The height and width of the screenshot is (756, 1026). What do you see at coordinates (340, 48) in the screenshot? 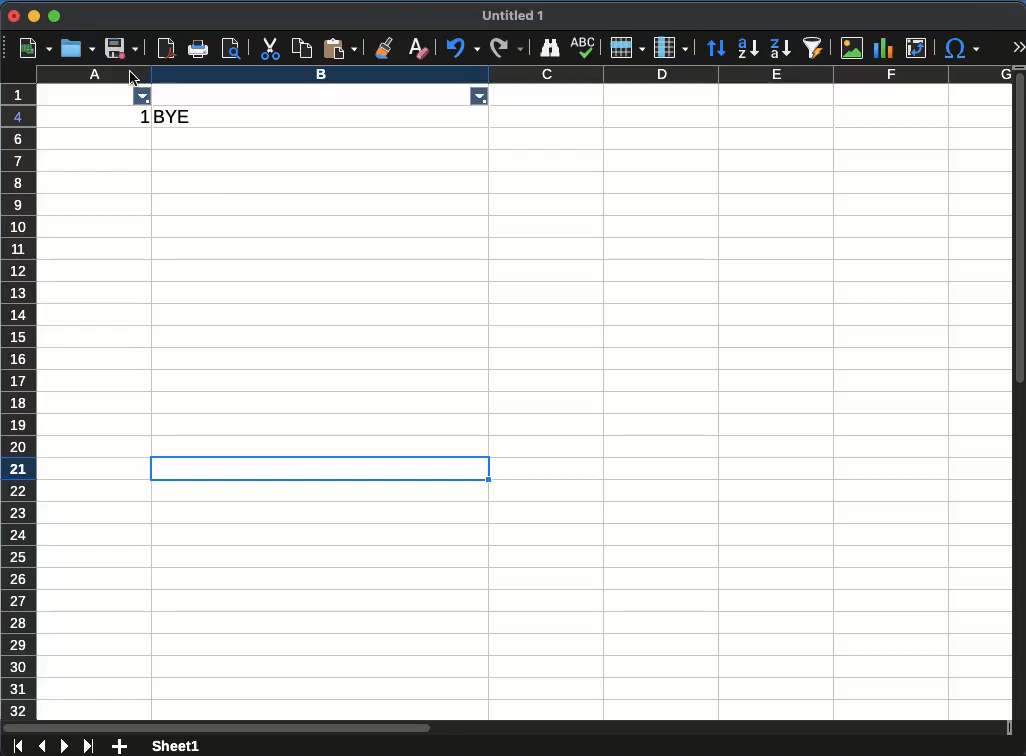
I see `paste` at bounding box center [340, 48].